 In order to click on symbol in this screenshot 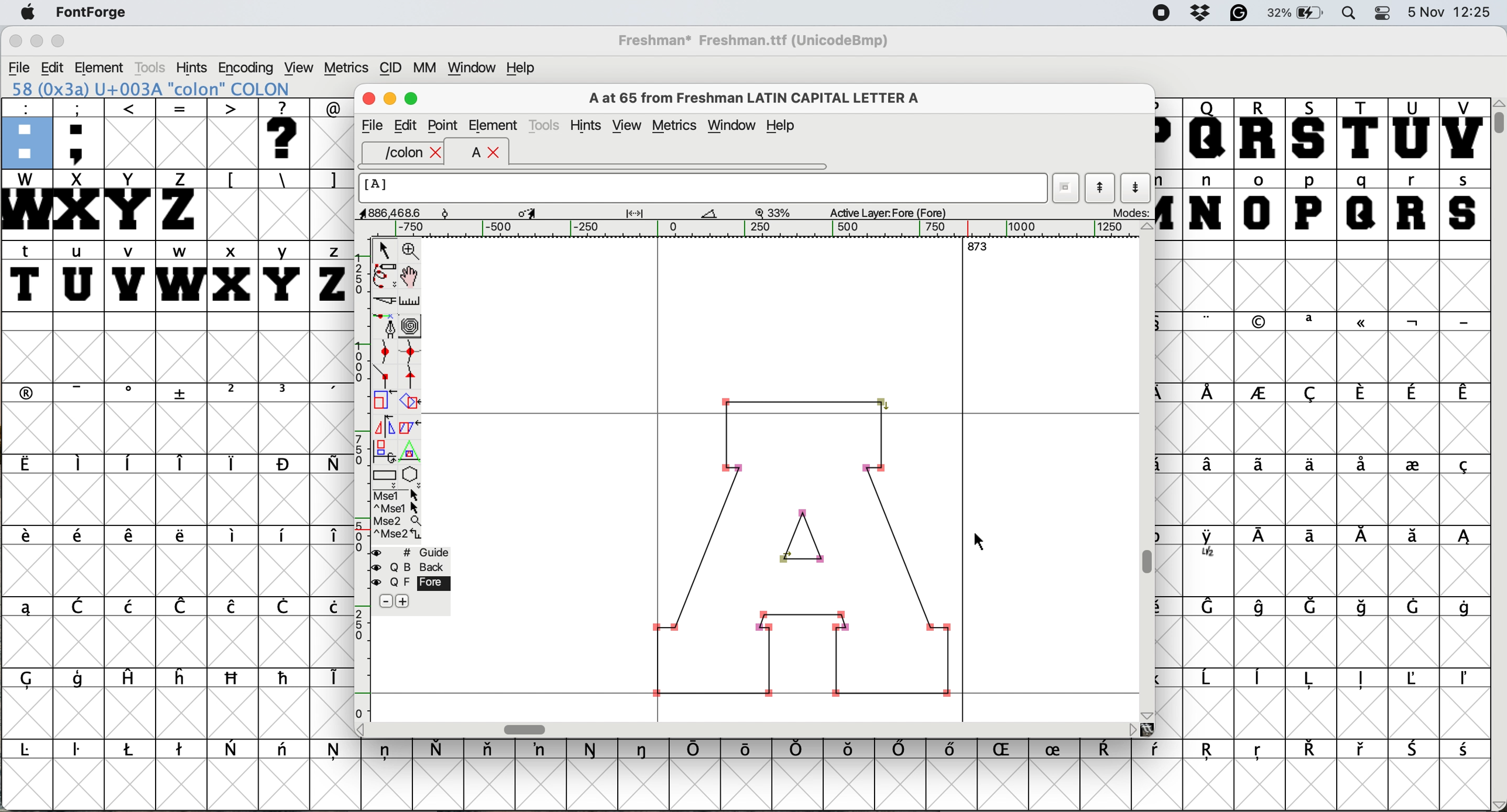, I will do `click(1412, 322)`.